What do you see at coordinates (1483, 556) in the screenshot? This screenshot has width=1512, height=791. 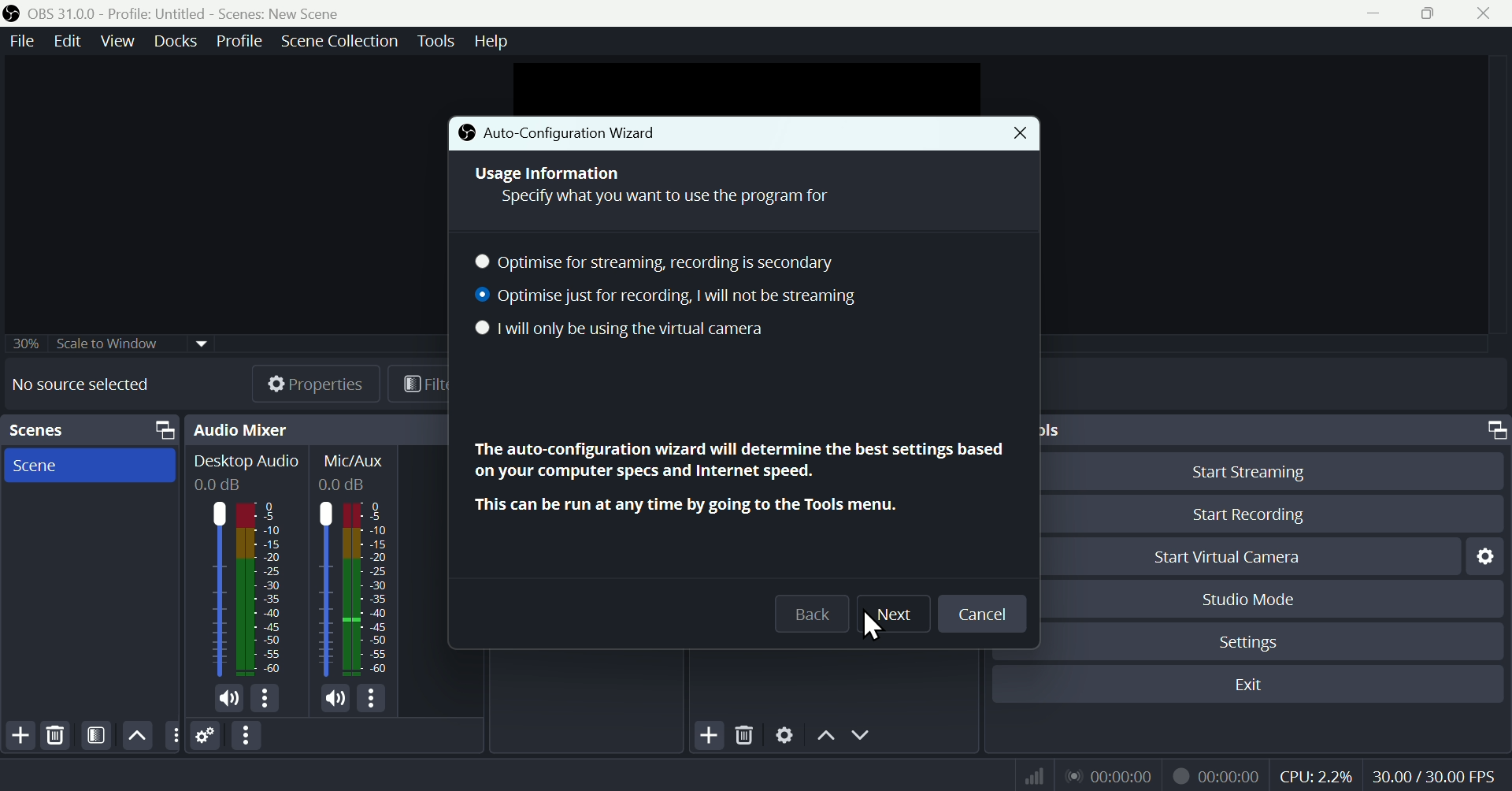 I see `Settings` at bounding box center [1483, 556].